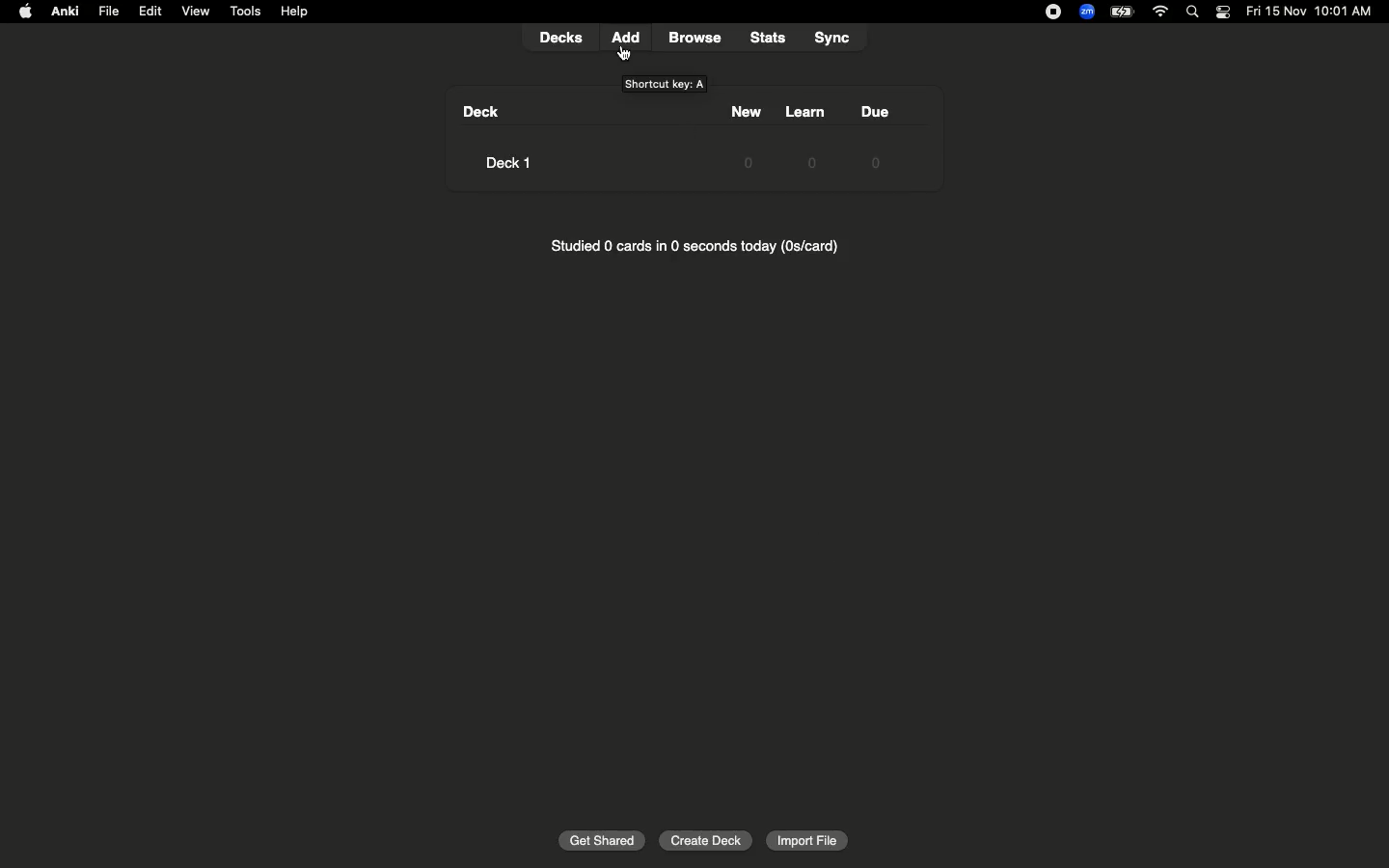 This screenshot has height=868, width=1389. I want to click on Apple logo, so click(21, 14).